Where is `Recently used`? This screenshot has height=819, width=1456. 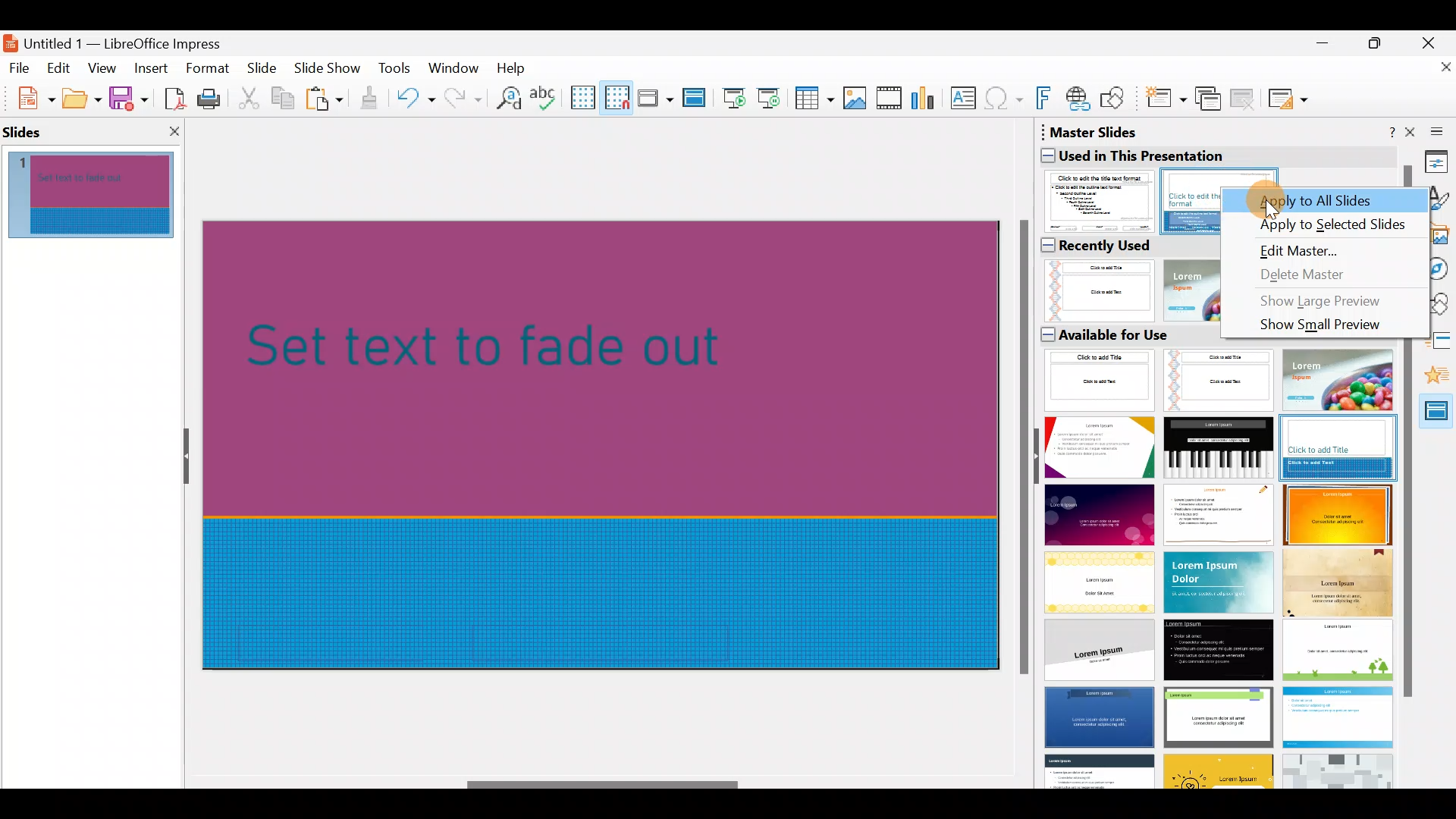
Recently used is located at coordinates (1101, 246).